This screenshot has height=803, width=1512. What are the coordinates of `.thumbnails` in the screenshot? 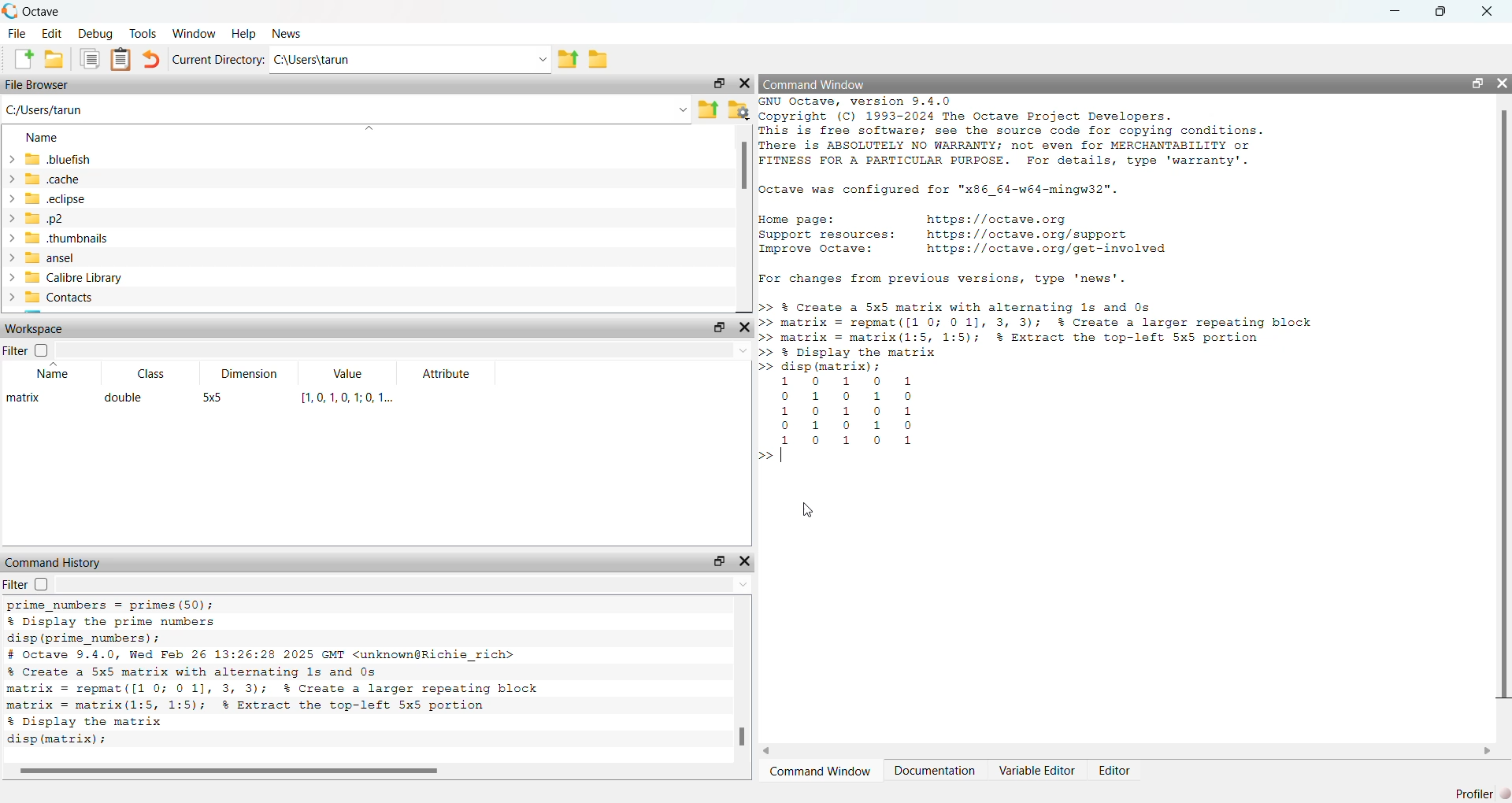 It's located at (68, 238).